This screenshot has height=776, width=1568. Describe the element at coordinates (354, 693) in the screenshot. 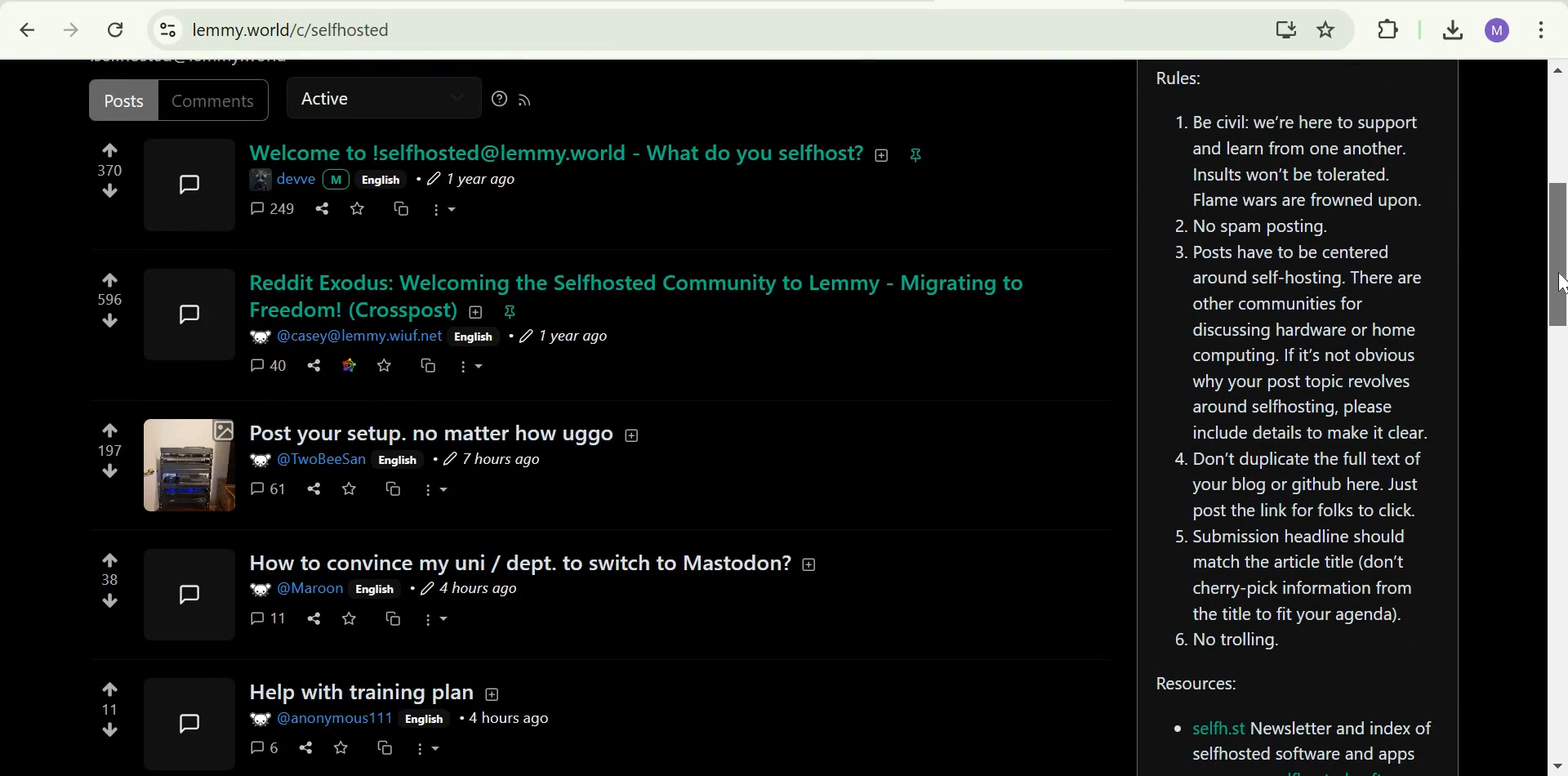

I see `Help with training plan` at that location.